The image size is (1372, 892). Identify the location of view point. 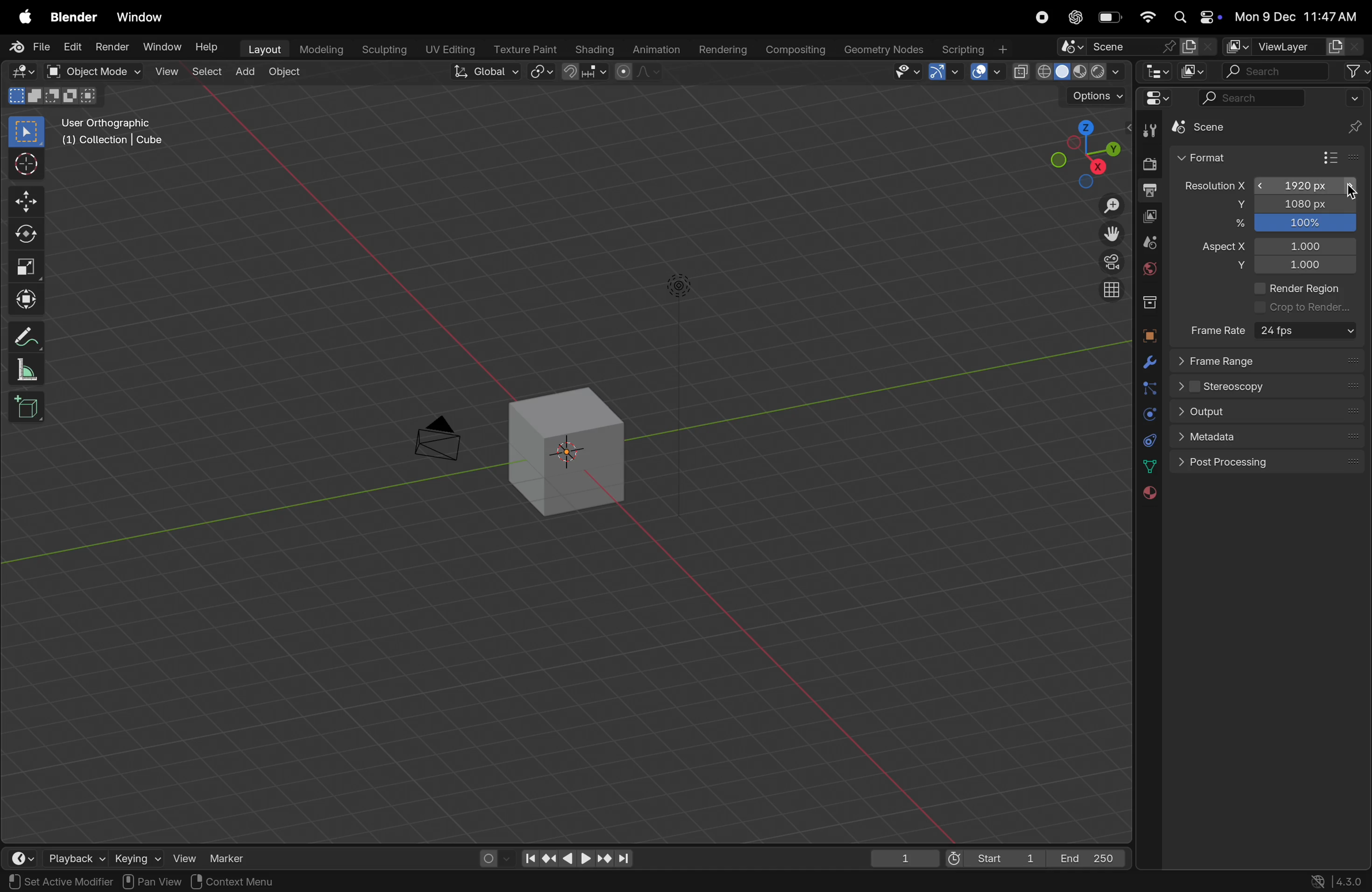
(1087, 150).